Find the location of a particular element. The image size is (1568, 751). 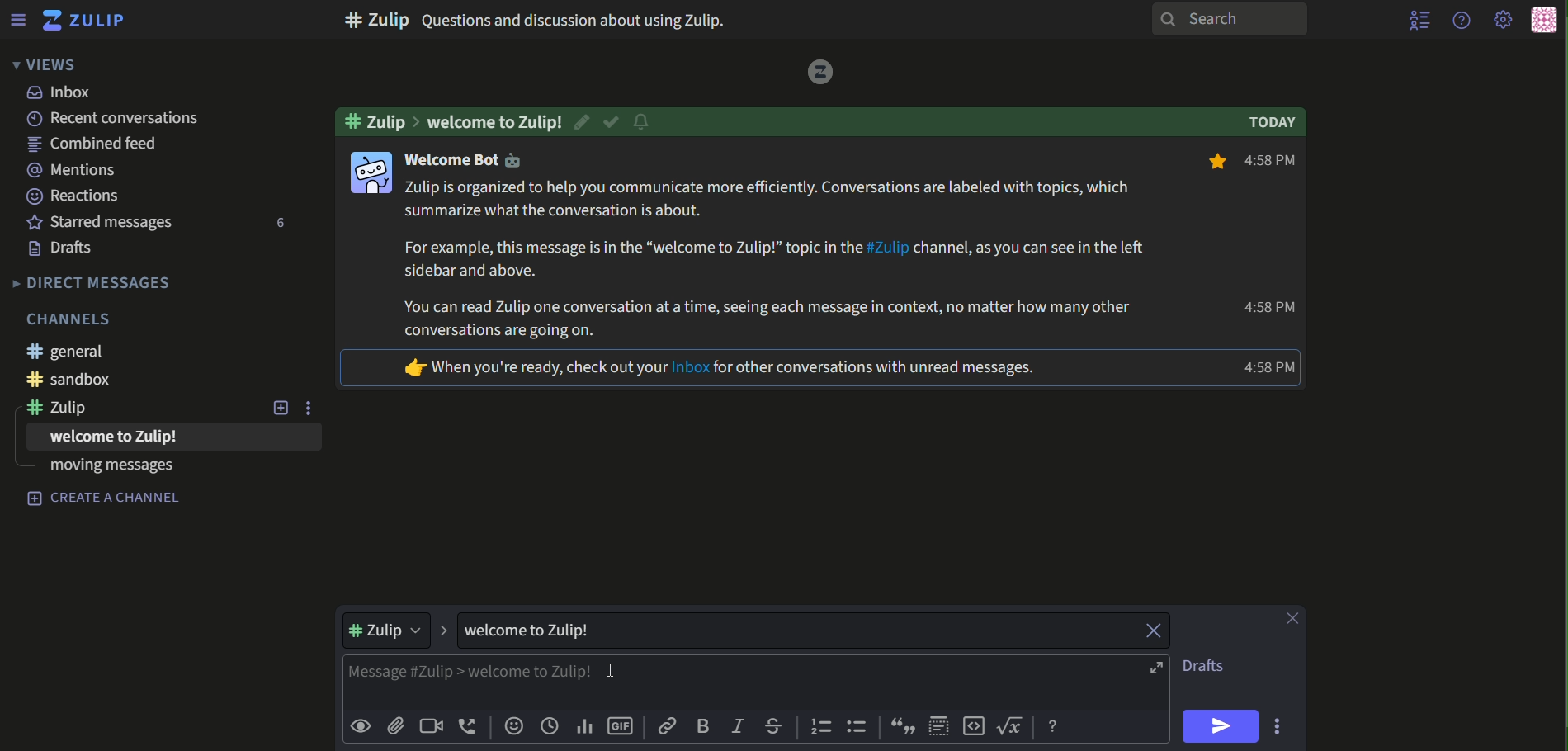

add emoji is located at coordinates (512, 727).